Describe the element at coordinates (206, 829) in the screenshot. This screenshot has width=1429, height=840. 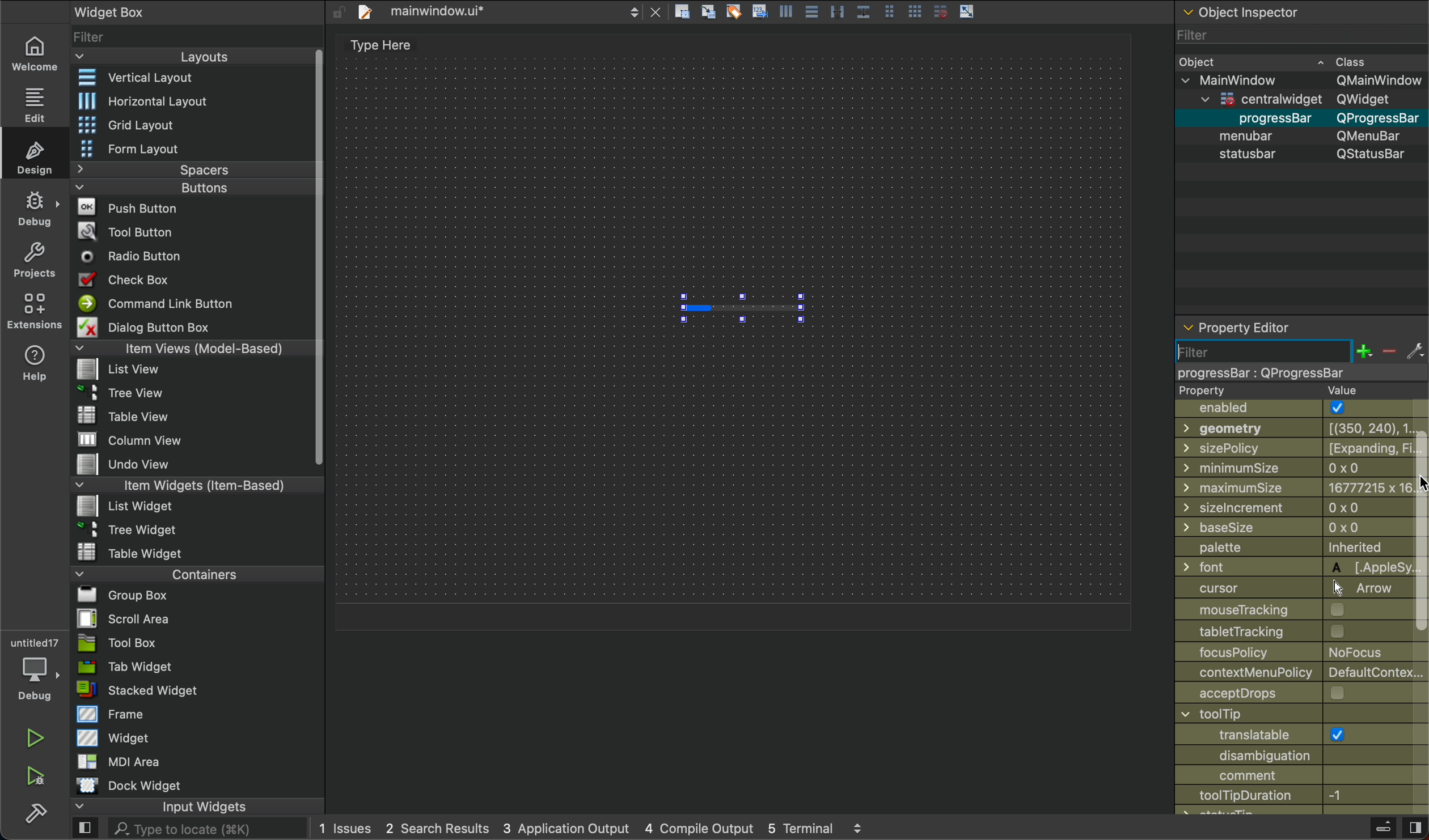
I see `search here` at that location.